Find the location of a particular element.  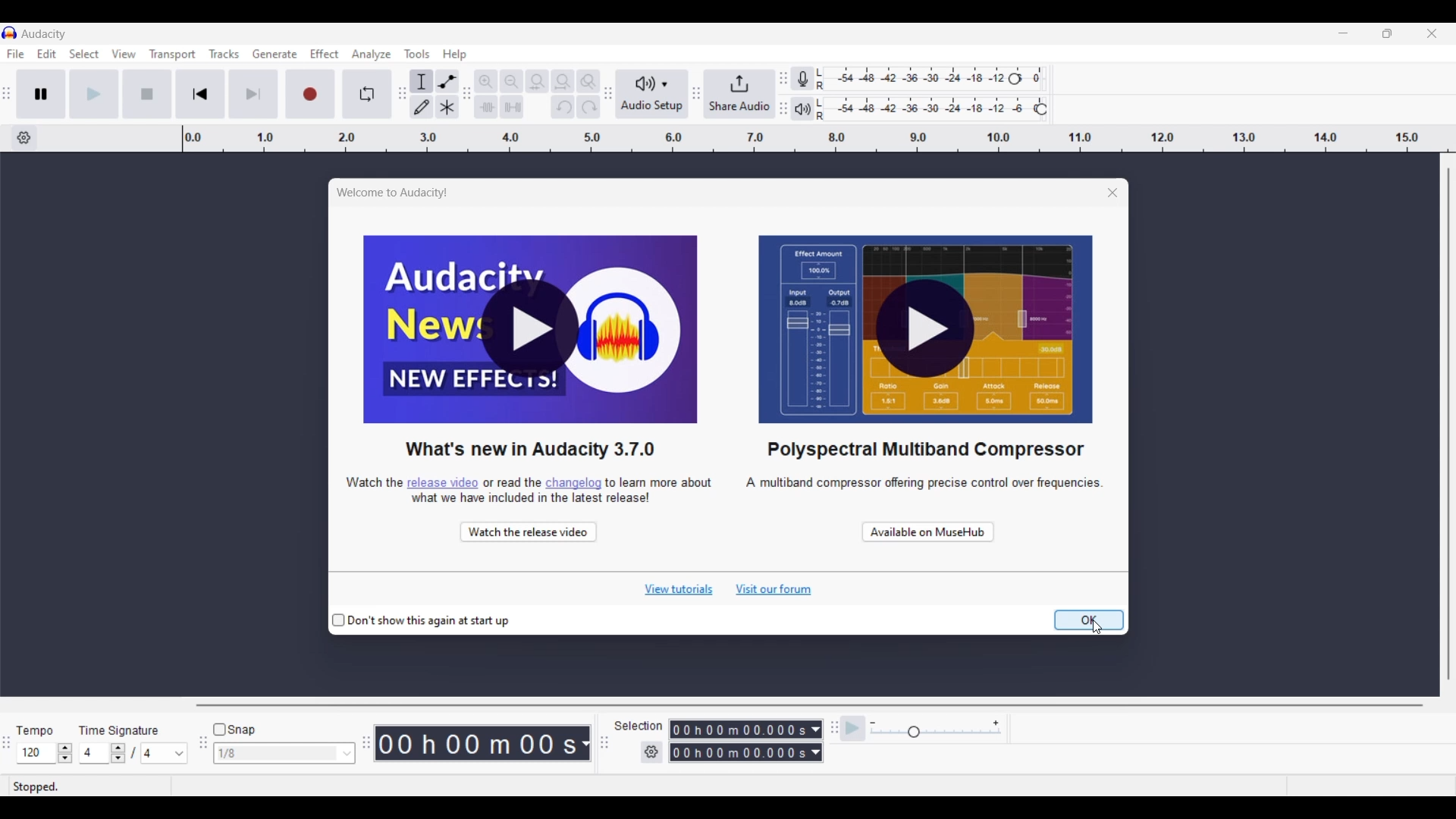

toolbar is located at coordinates (466, 91).